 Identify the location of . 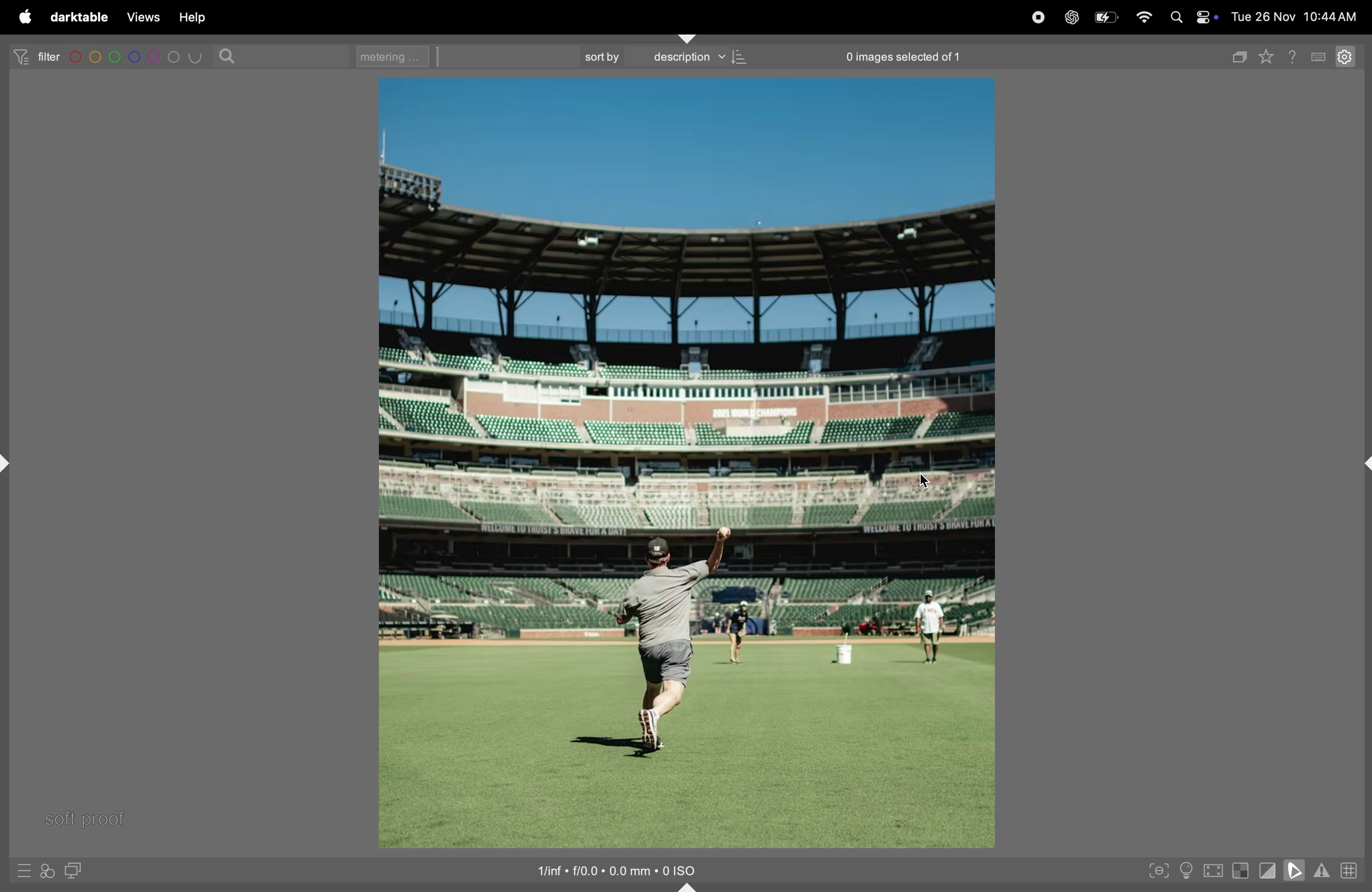
(1239, 56).